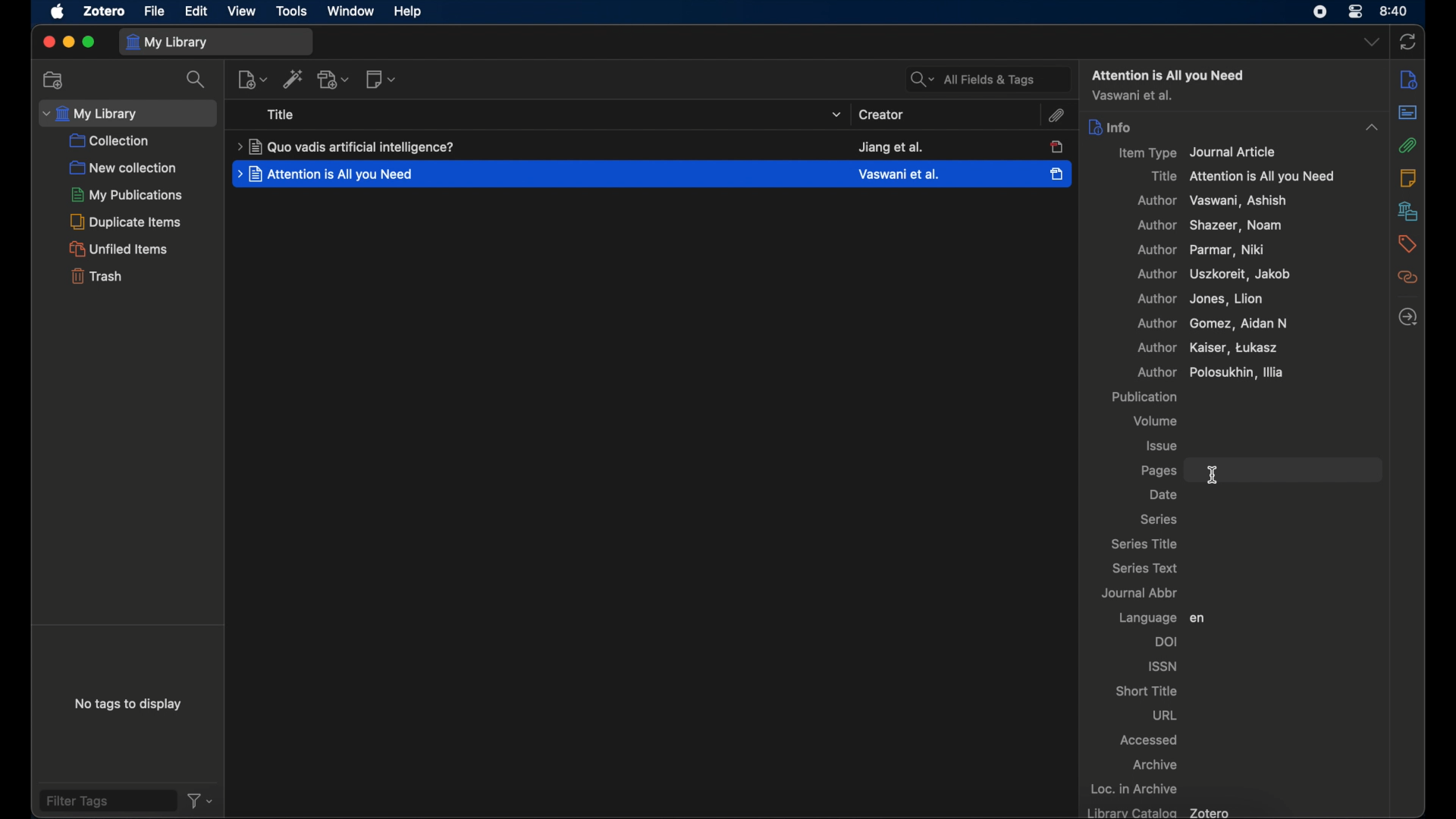 The width and height of the screenshot is (1456, 819). What do you see at coordinates (105, 12) in the screenshot?
I see `zotero` at bounding box center [105, 12].